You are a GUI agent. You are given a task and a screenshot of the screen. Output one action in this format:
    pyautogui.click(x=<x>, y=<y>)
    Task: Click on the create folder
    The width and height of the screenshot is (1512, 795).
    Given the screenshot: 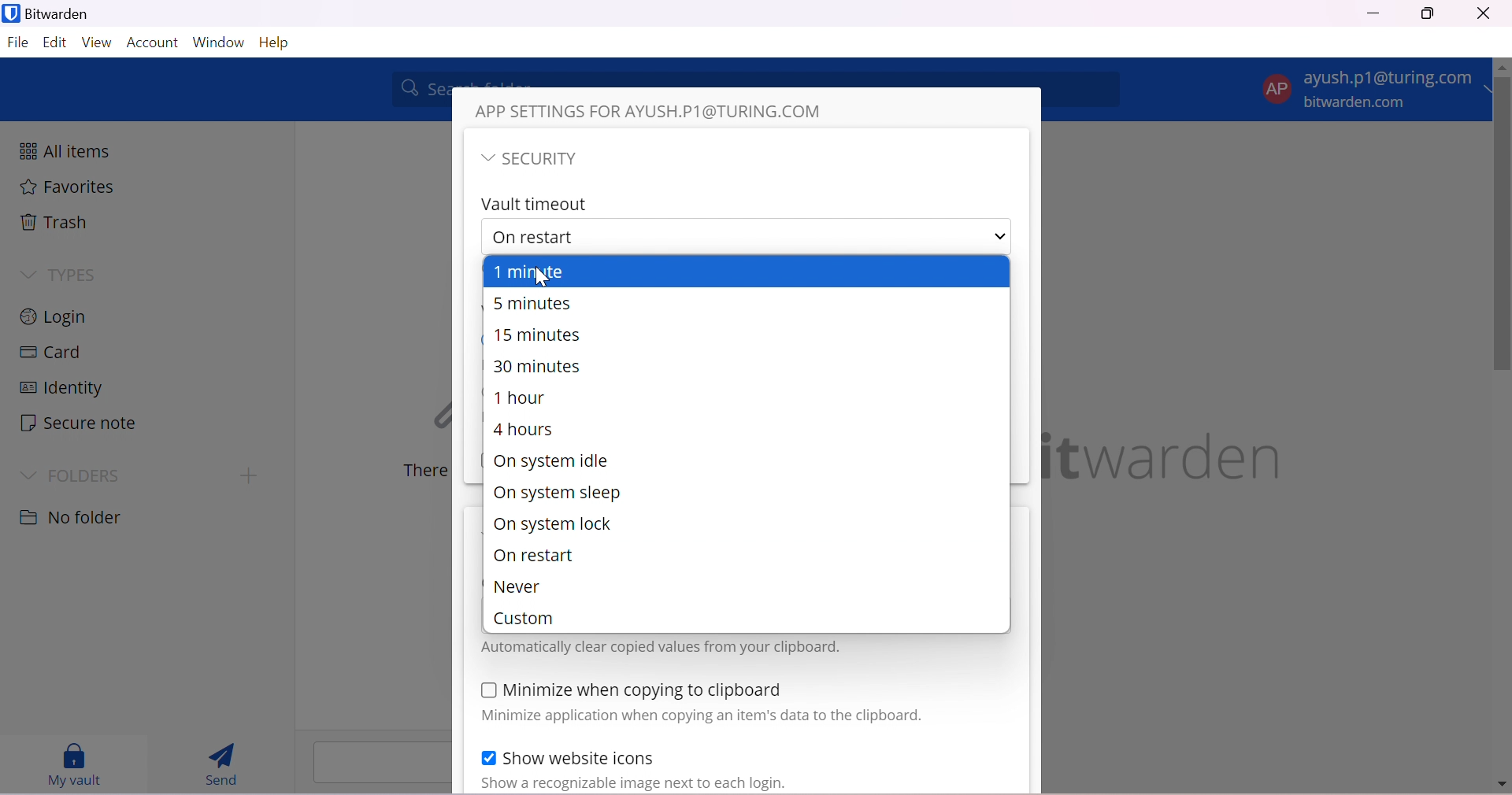 What is the action you would take?
    pyautogui.click(x=245, y=477)
    